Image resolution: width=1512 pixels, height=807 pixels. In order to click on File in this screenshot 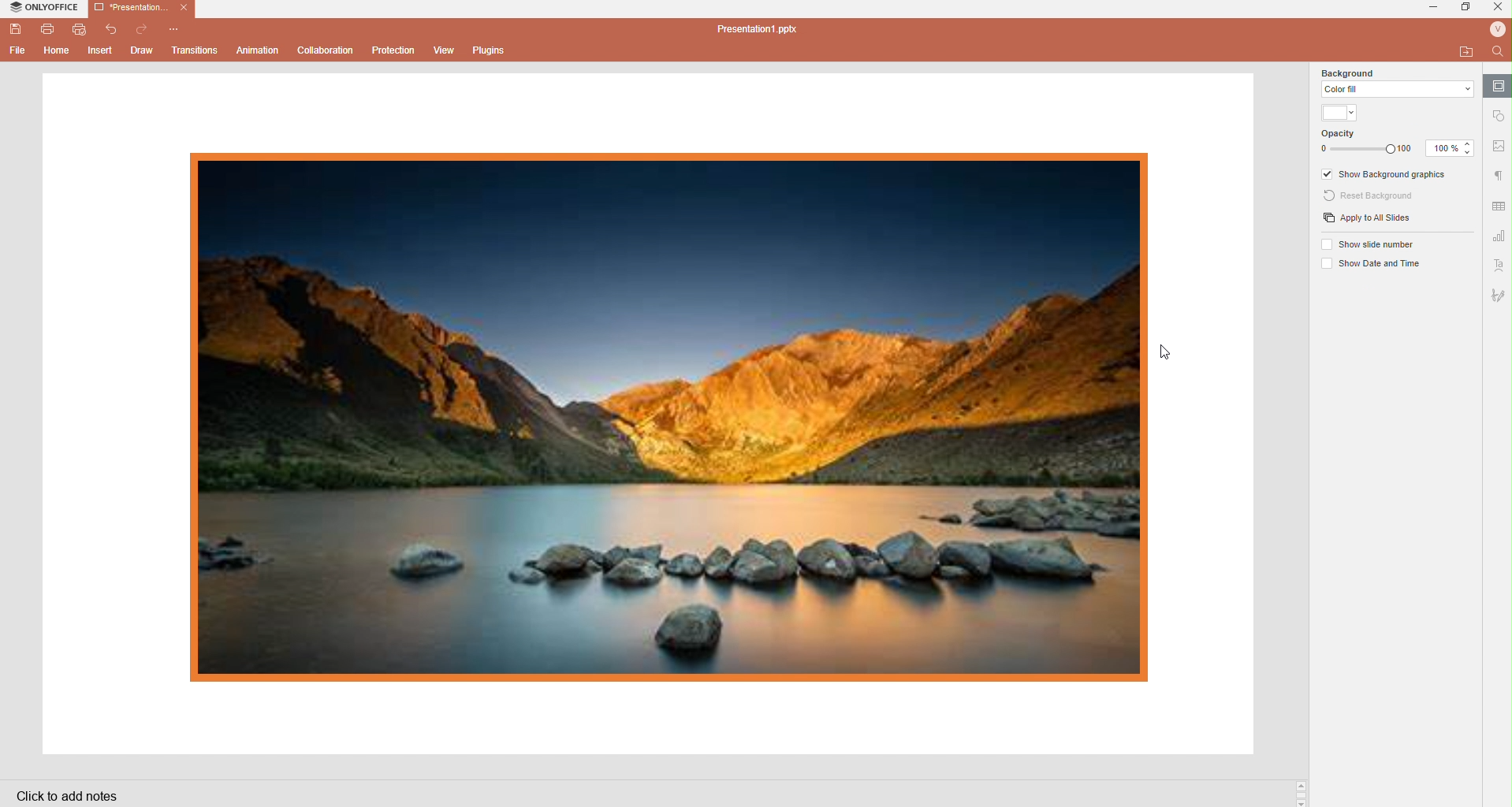, I will do `click(16, 52)`.